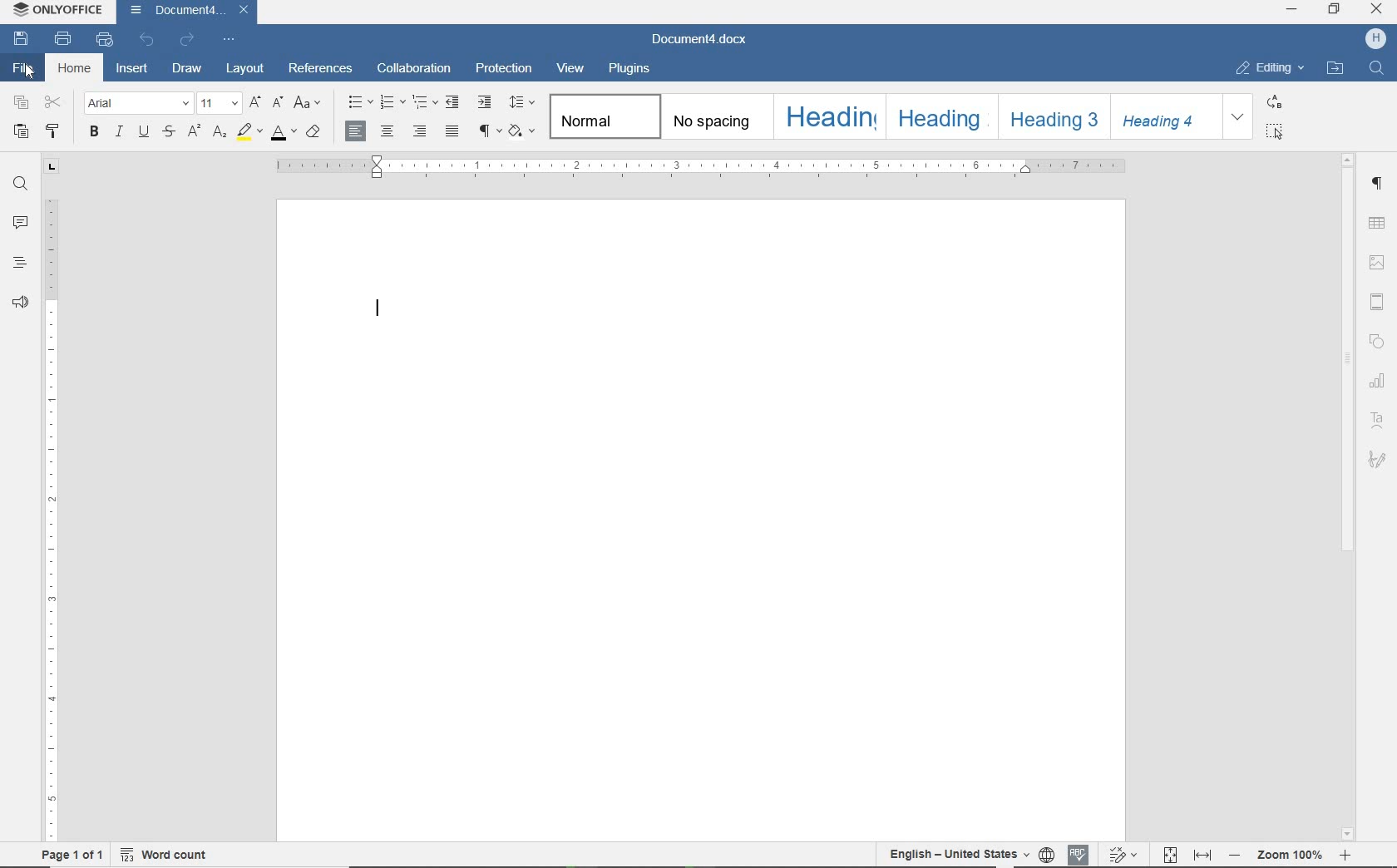  What do you see at coordinates (379, 309) in the screenshot?
I see `Text cursor` at bounding box center [379, 309].